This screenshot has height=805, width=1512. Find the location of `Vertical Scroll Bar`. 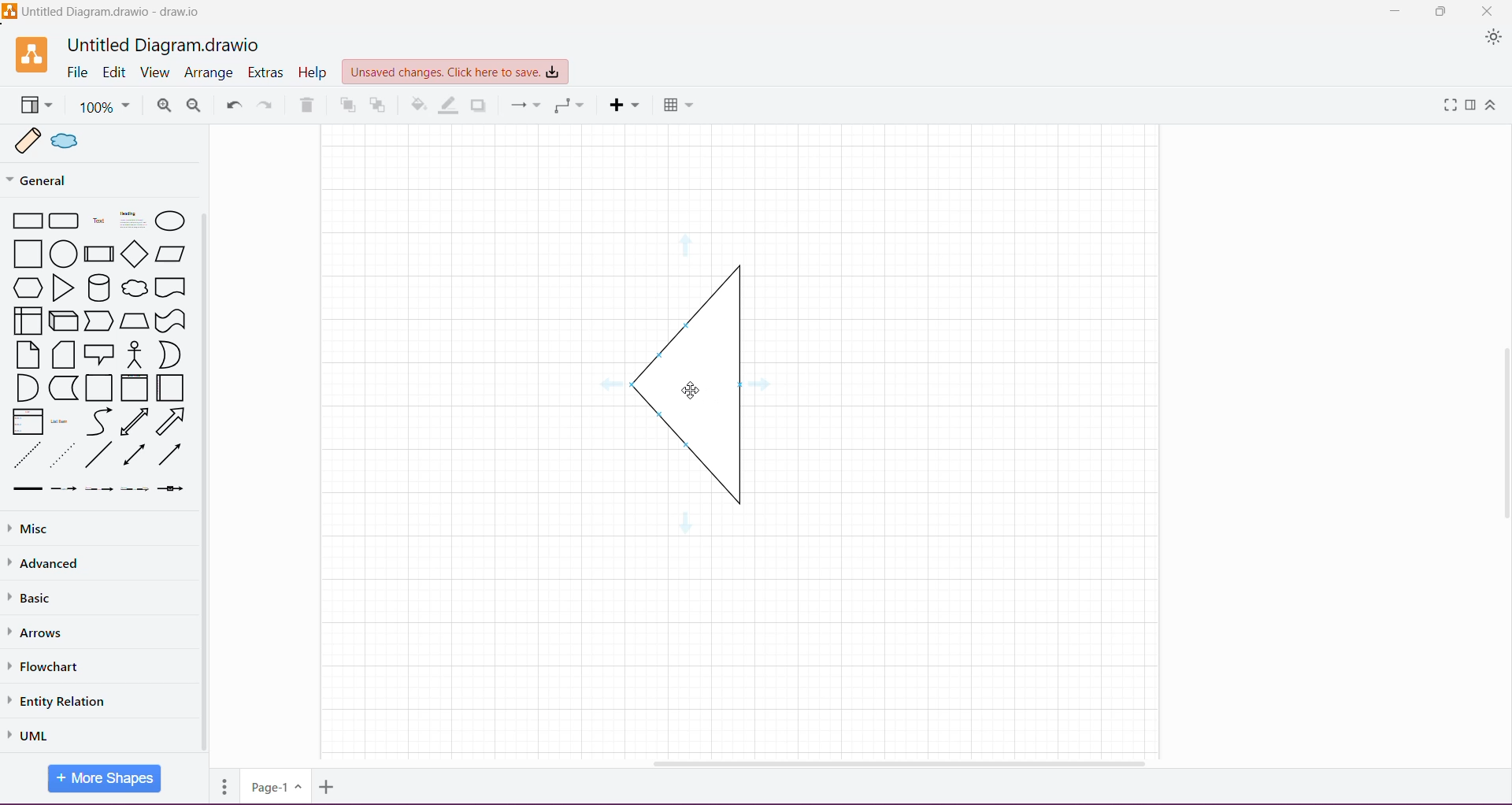

Vertical Scroll Bar is located at coordinates (206, 483).